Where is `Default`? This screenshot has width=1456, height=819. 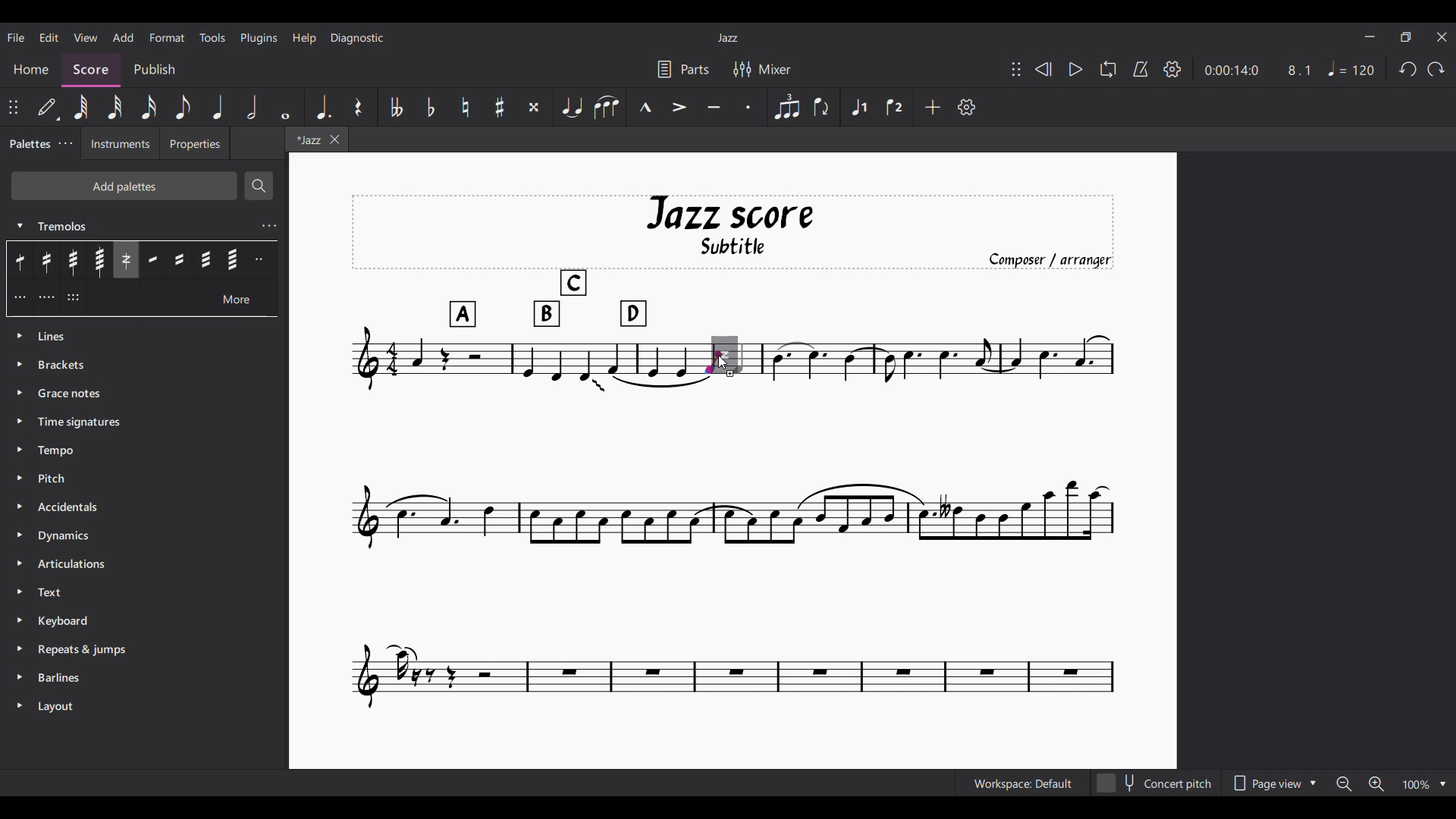 Default is located at coordinates (49, 107).